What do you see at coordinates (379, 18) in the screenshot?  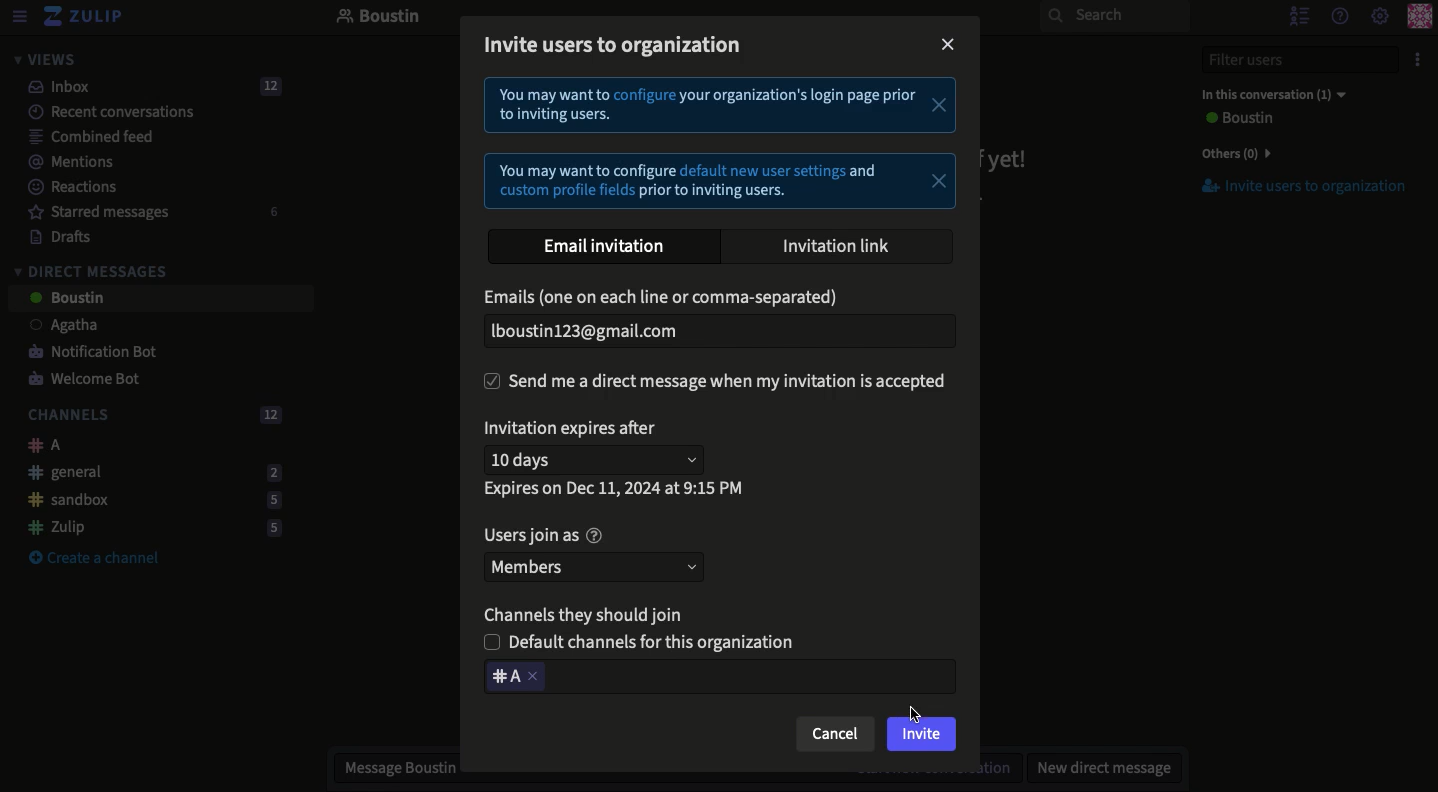 I see `Boustin` at bounding box center [379, 18].